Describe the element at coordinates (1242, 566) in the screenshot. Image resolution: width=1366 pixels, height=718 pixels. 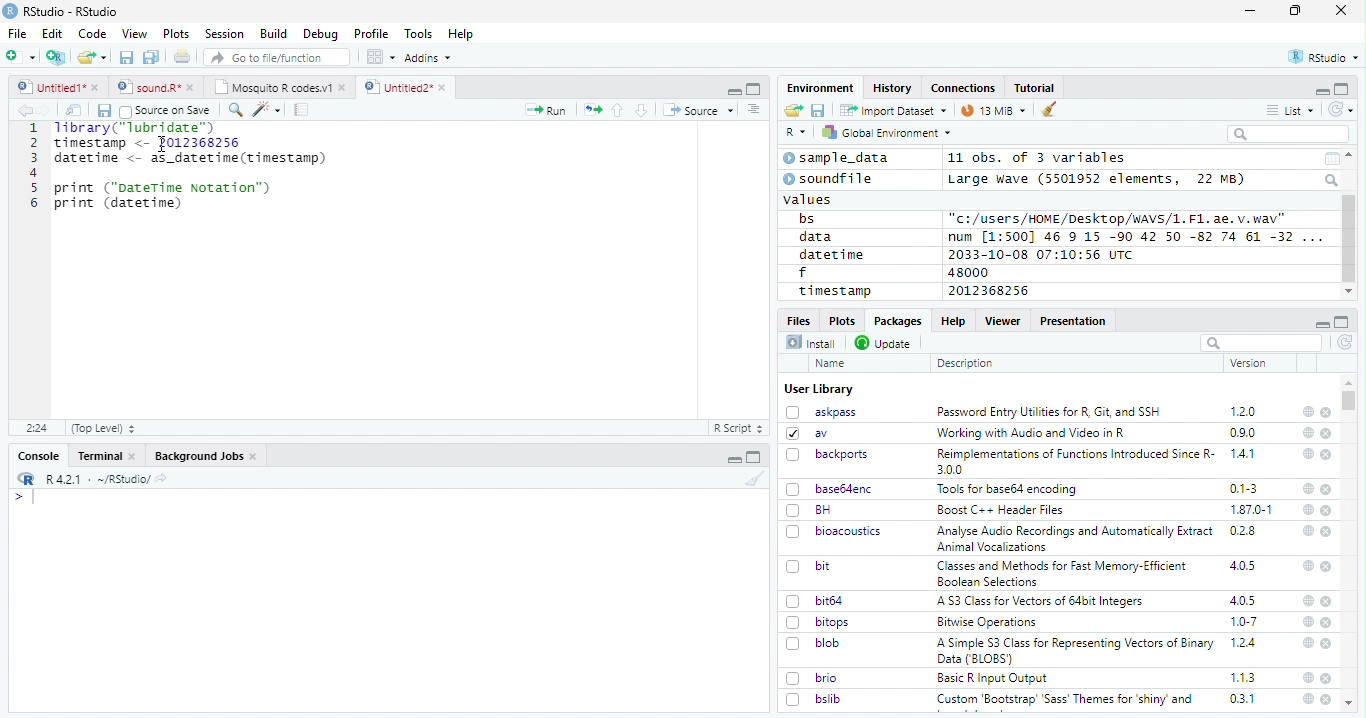
I see `4.0.5` at that location.